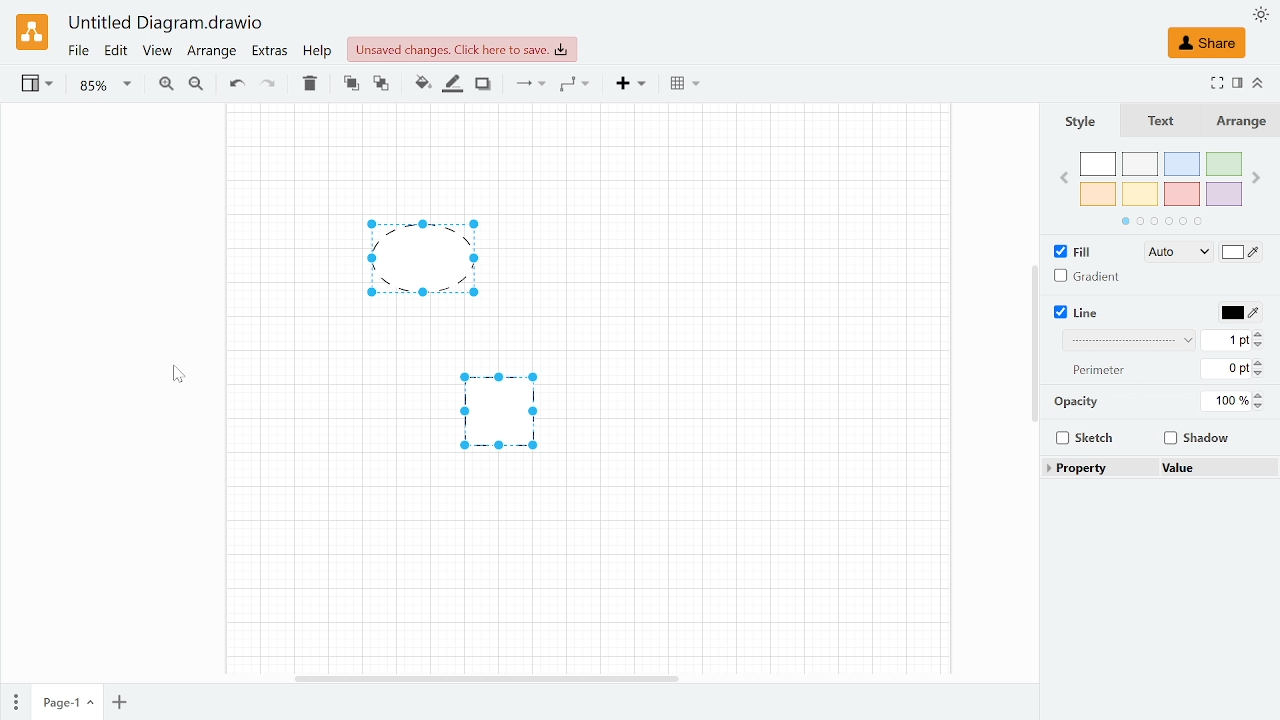 The image size is (1280, 720). What do you see at coordinates (1079, 122) in the screenshot?
I see `Style` at bounding box center [1079, 122].